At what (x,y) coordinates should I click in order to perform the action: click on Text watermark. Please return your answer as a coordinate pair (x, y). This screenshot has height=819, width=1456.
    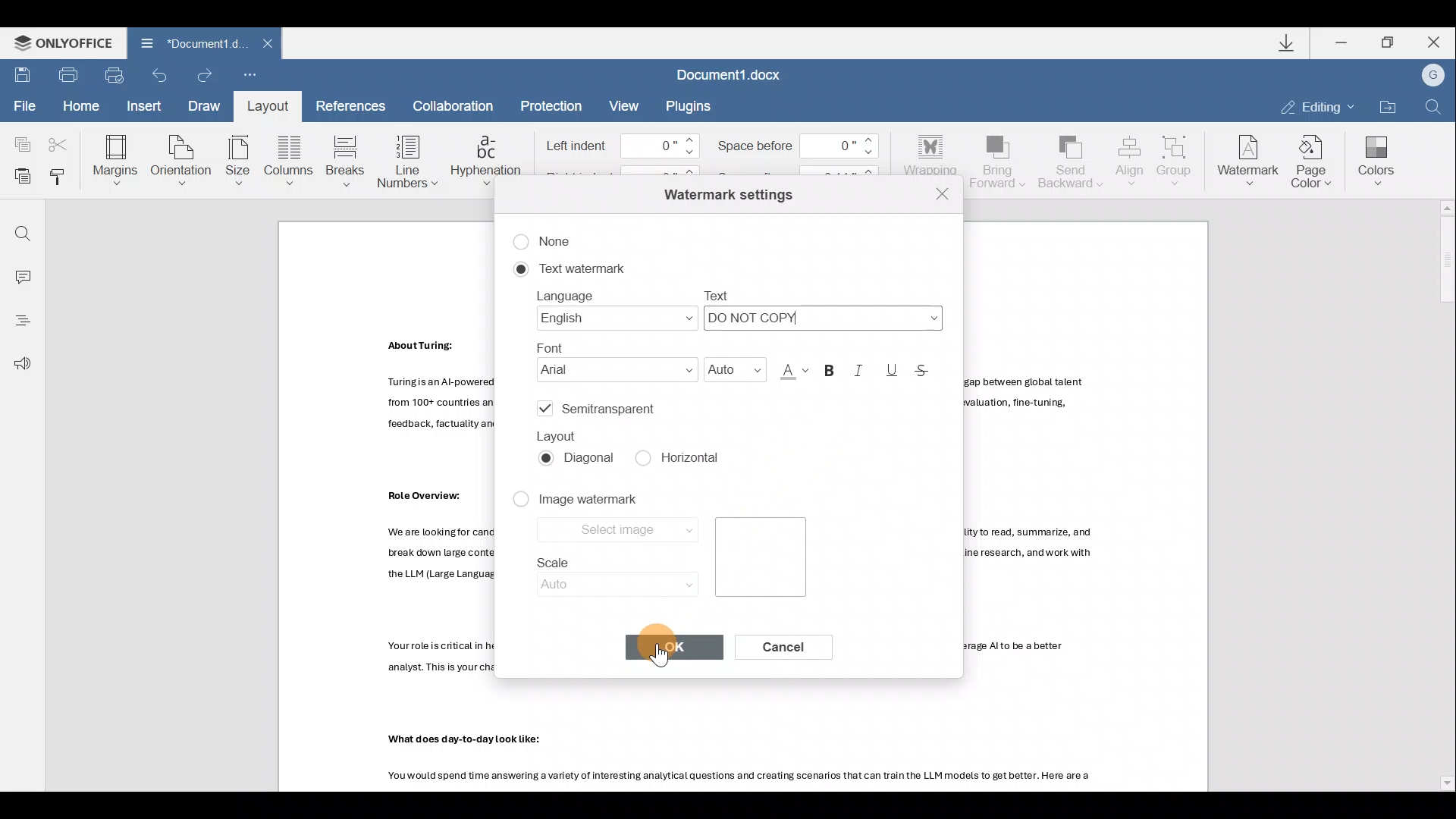
    Looking at the image, I should click on (565, 269).